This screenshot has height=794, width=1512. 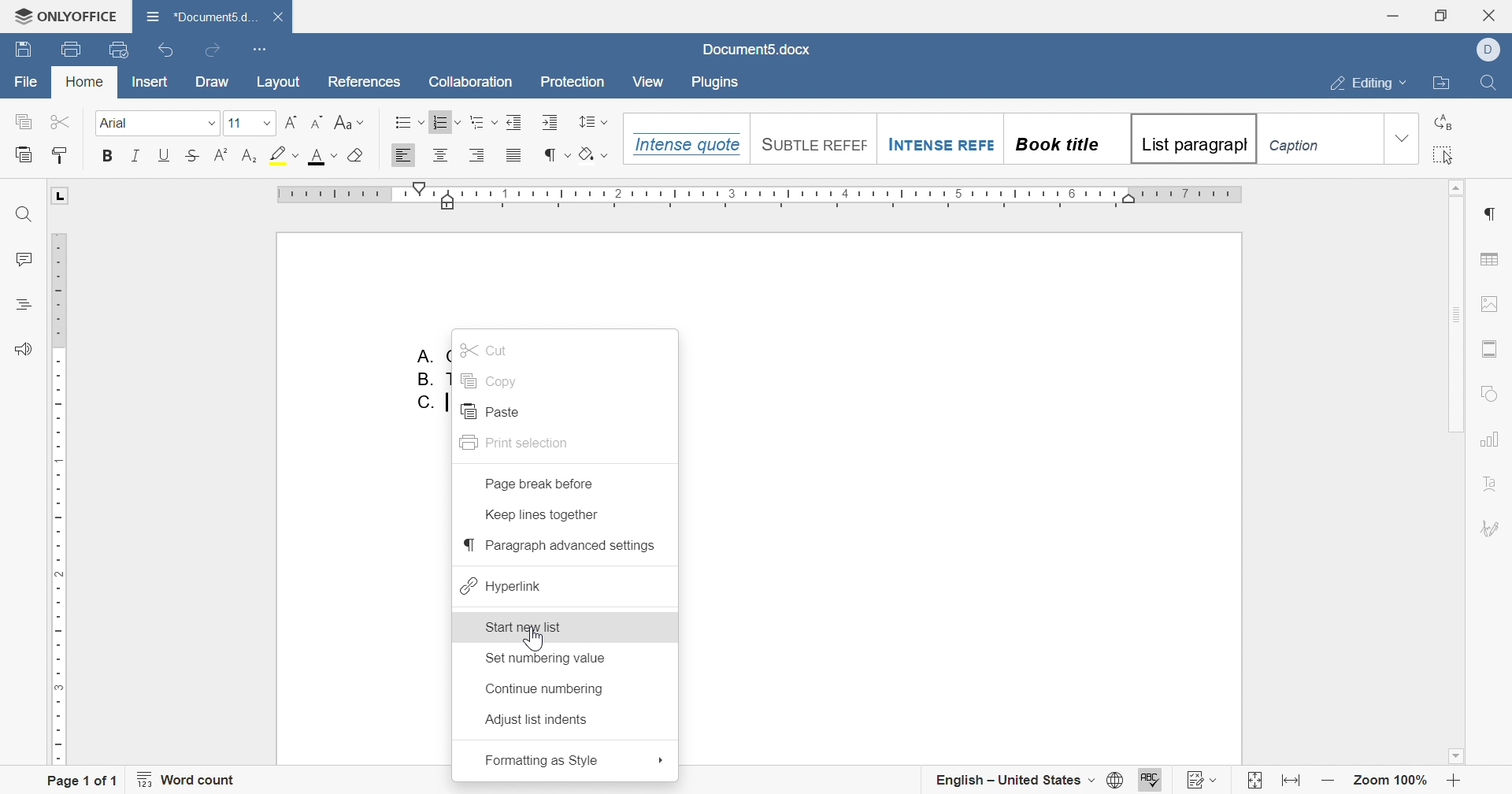 I want to click on Align Center, so click(x=440, y=155).